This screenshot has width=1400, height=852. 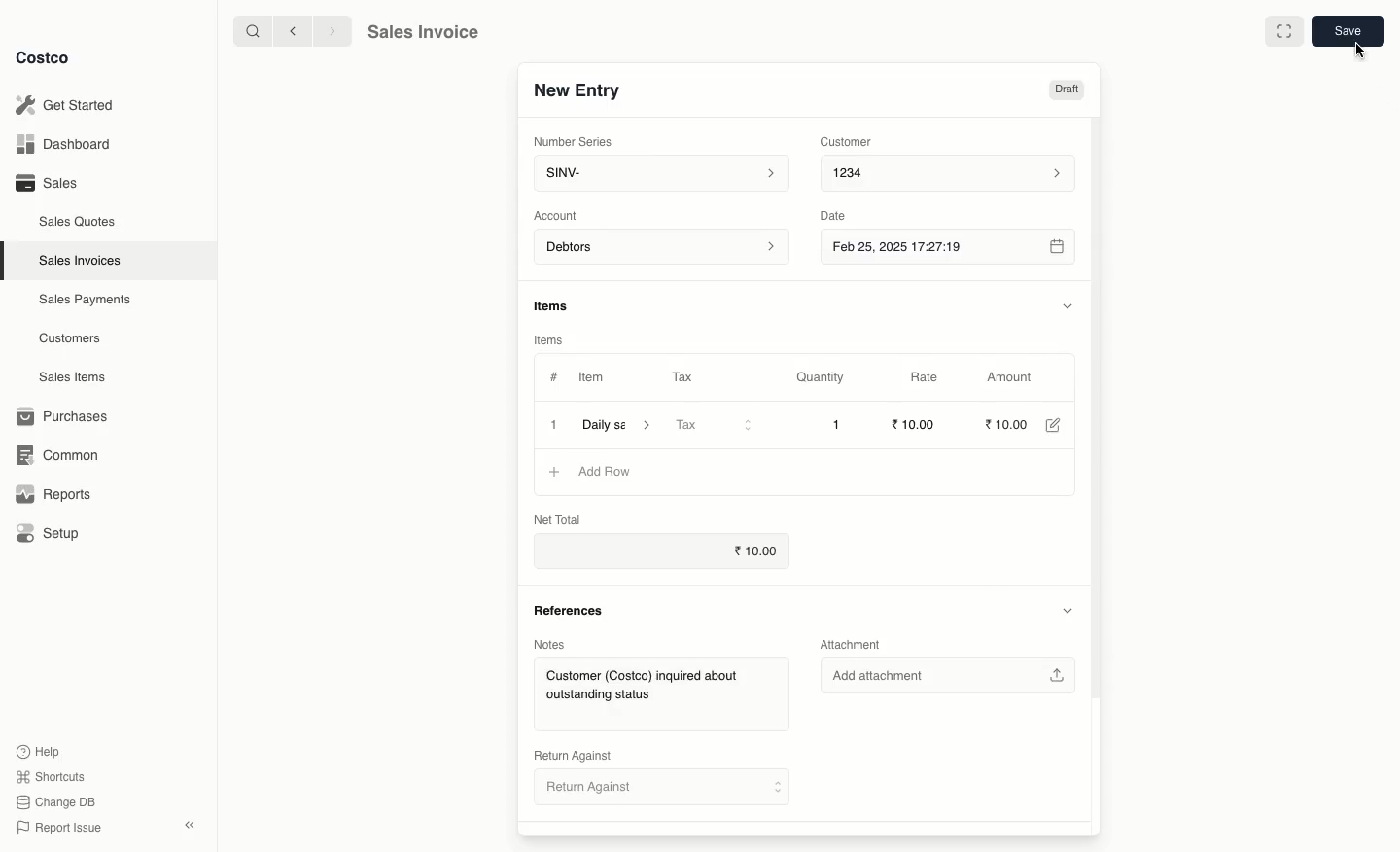 I want to click on Get Started, so click(x=72, y=104).